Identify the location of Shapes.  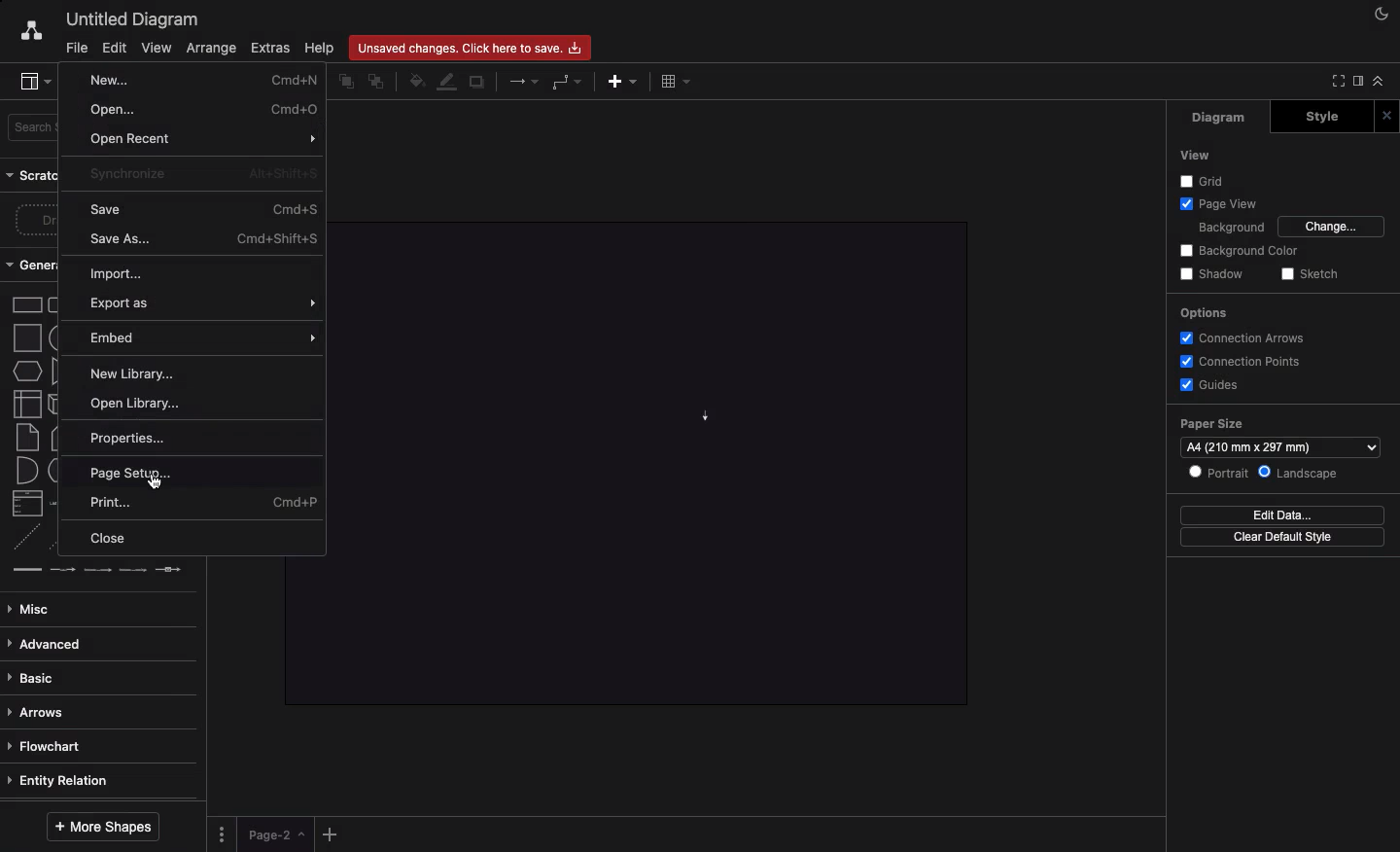
(26, 436).